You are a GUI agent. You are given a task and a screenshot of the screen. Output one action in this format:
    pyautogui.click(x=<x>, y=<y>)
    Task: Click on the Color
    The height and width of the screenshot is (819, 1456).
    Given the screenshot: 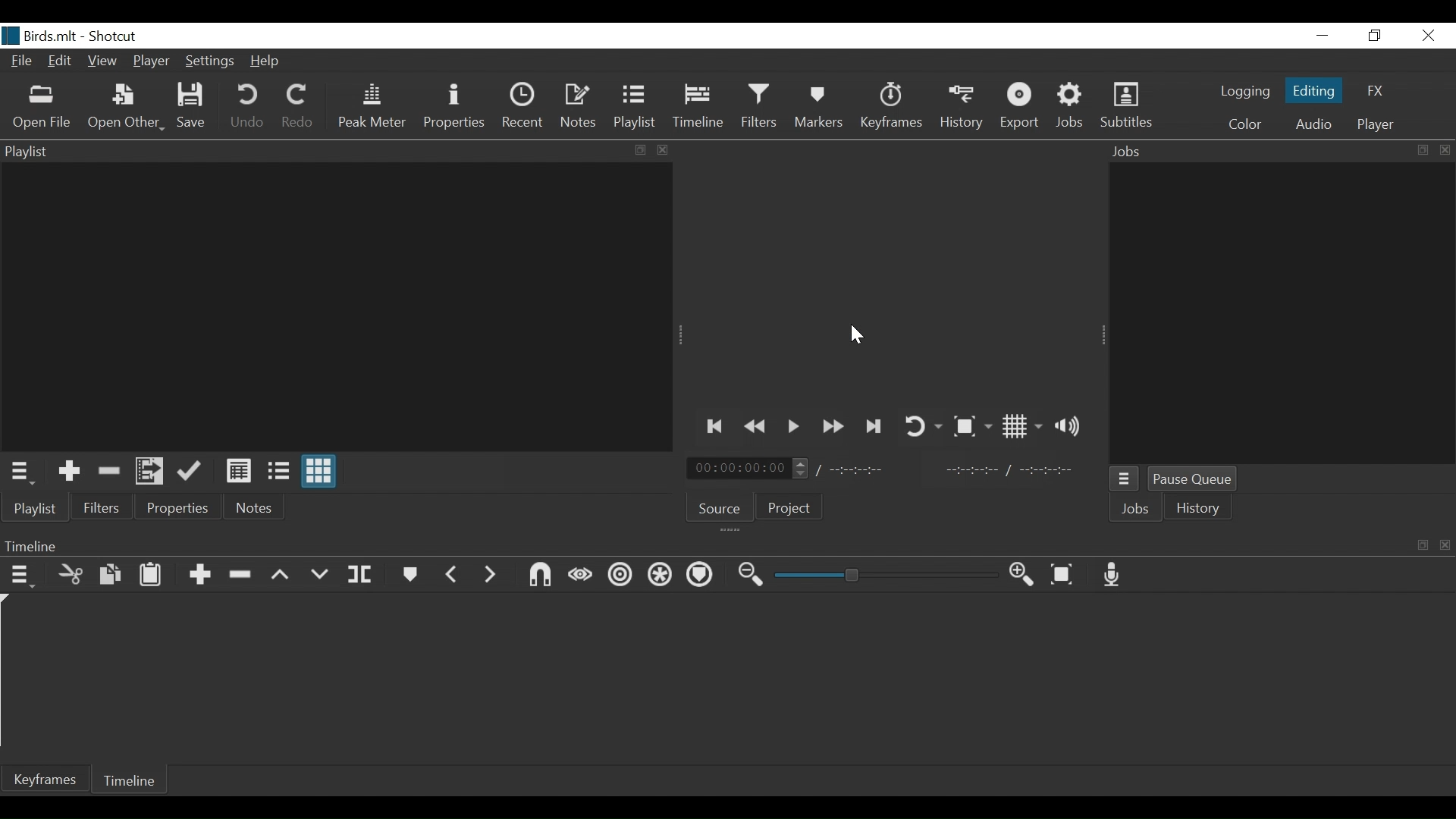 What is the action you would take?
    pyautogui.click(x=1245, y=124)
    